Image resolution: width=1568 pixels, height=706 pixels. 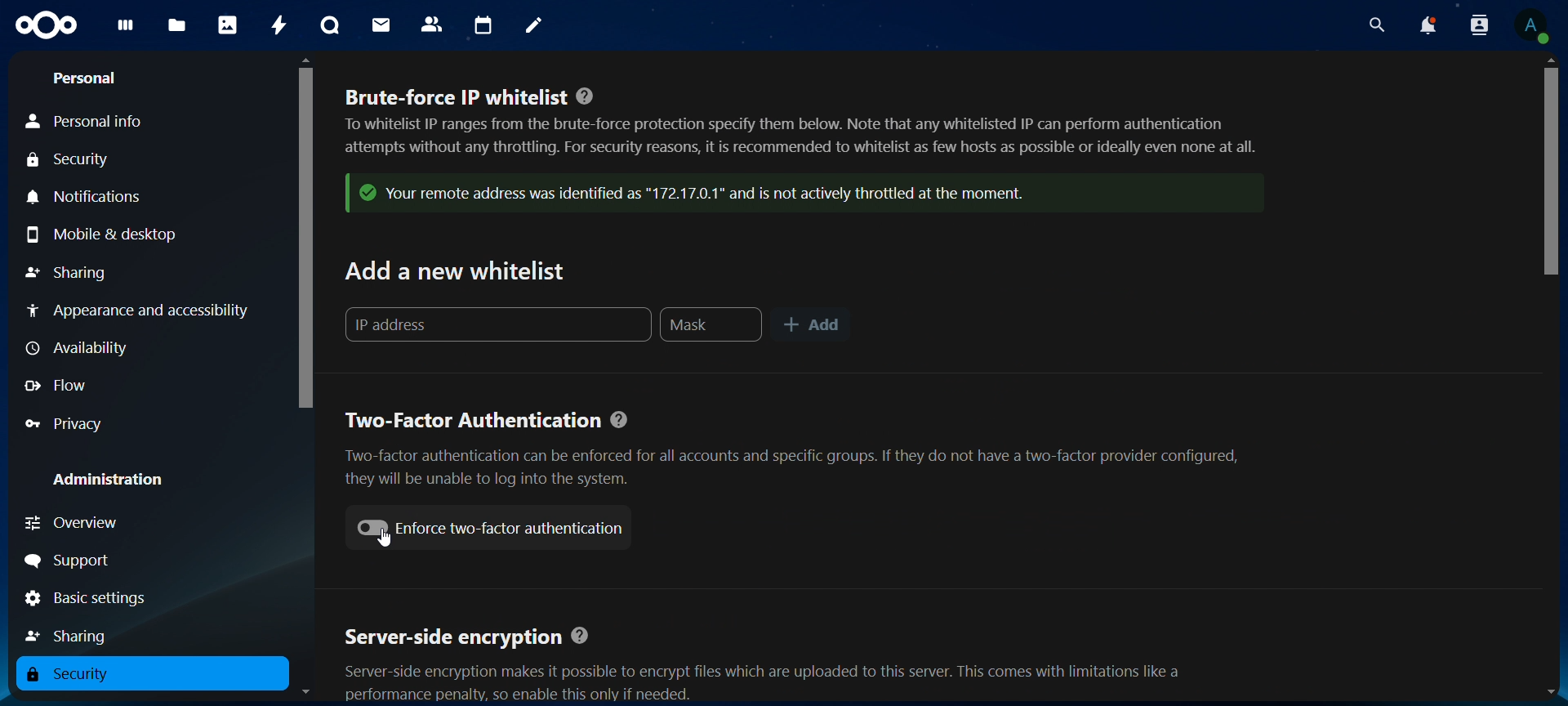 What do you see at coordinates (98, 599) in the screenshot?
I see `basic settings` at bounding box center [98, 599].